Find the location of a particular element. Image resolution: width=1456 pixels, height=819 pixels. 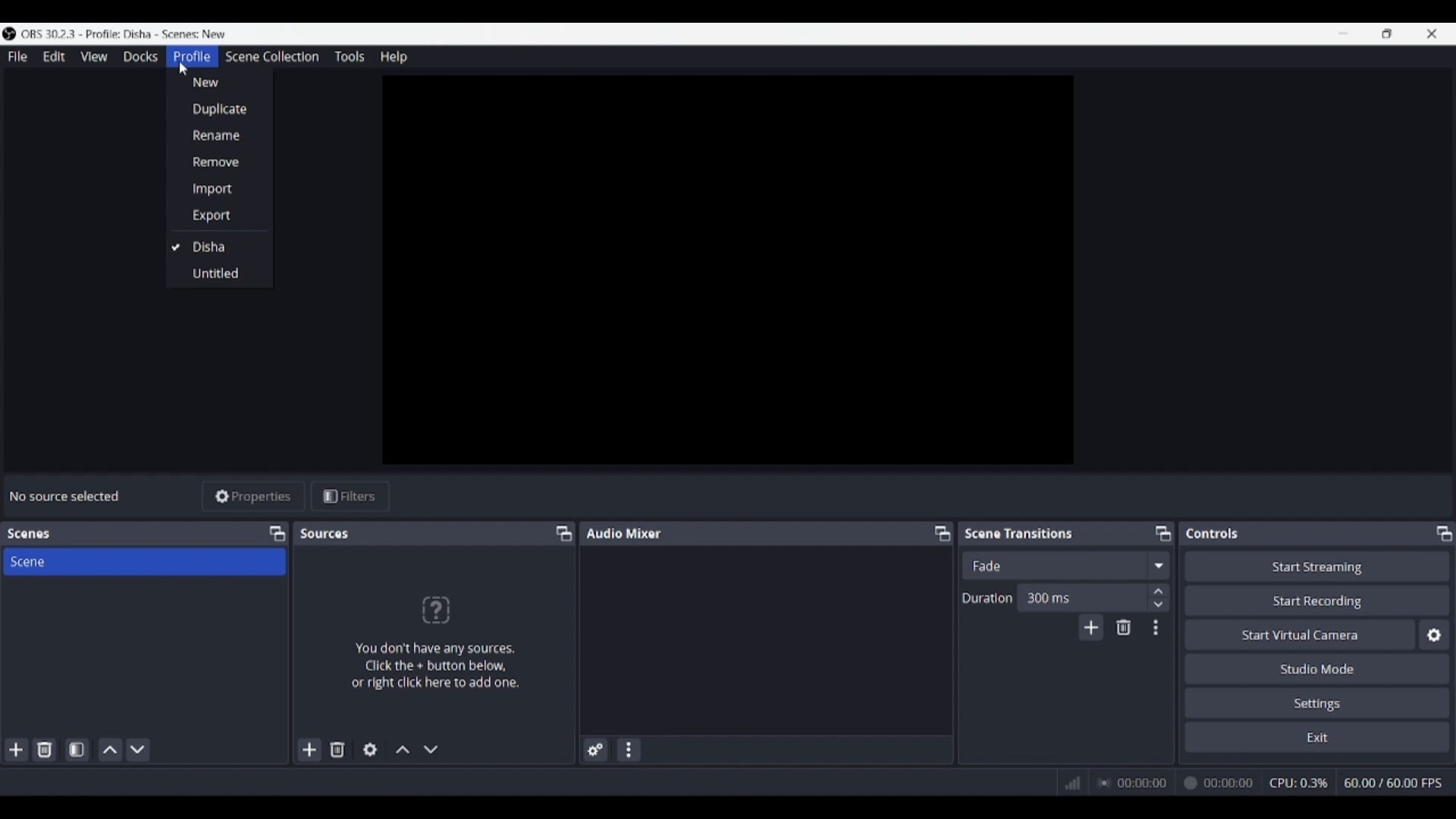

Float Scene transitions panel is located at coordinates (1163, 533).